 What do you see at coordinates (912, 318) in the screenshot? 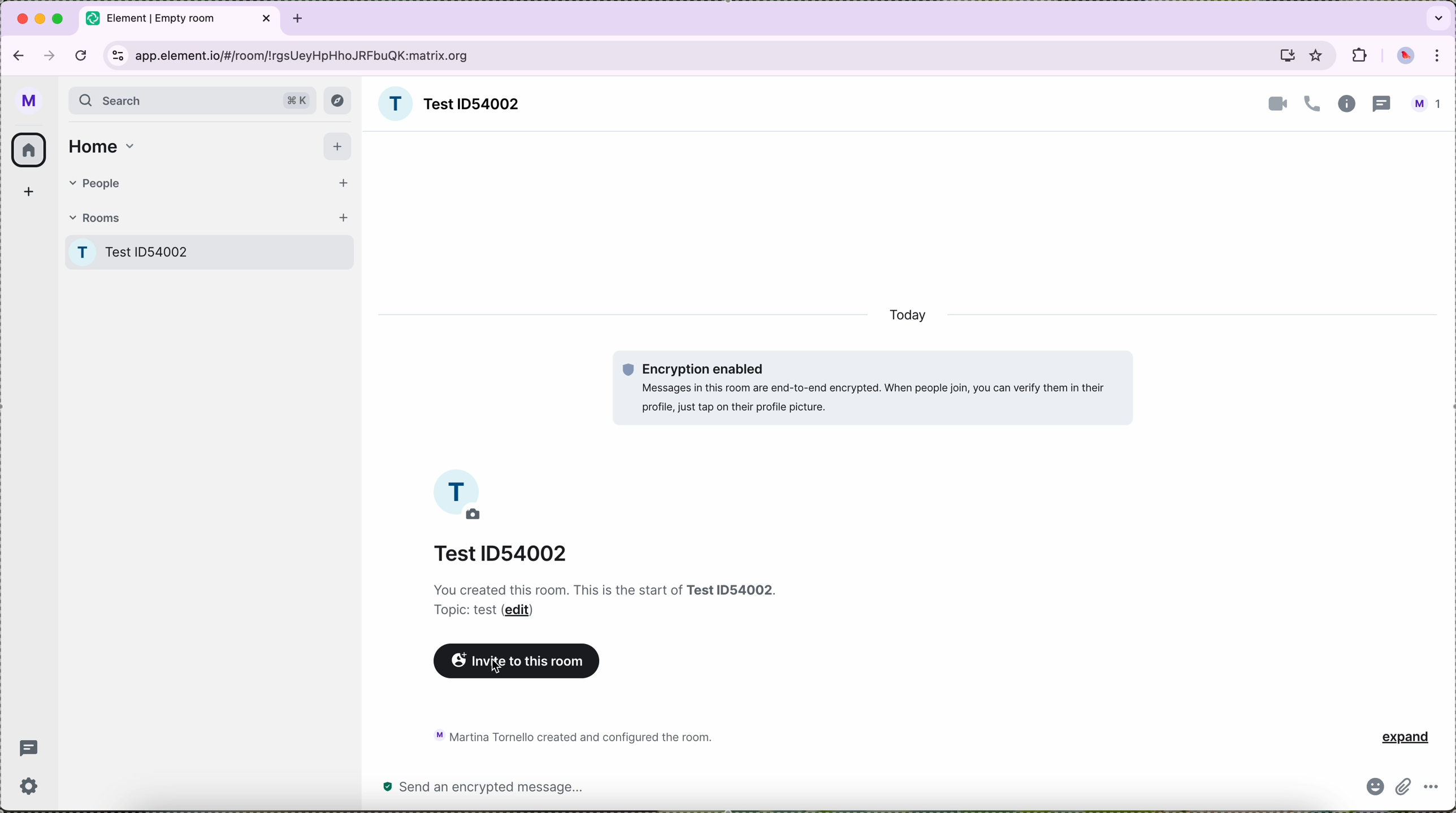
I see `today` at bounding box center [912, 318].